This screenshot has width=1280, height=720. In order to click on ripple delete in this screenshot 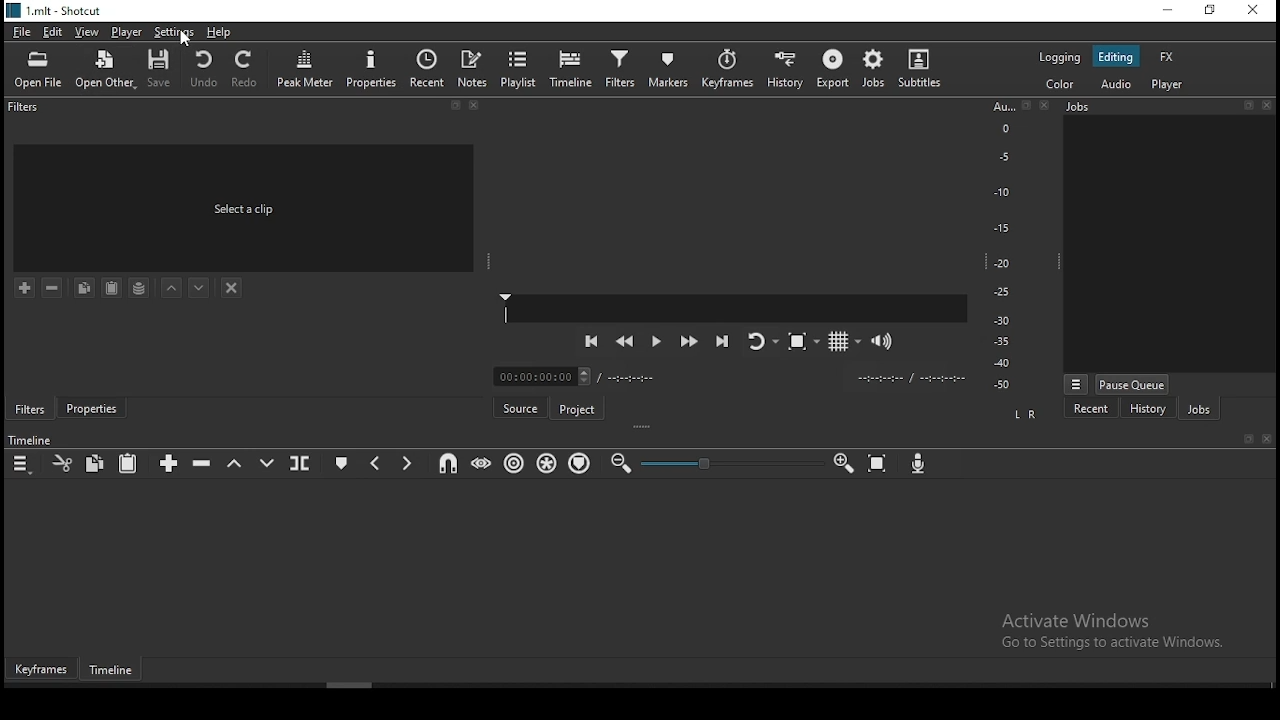, I will do `click(202, 465)`.